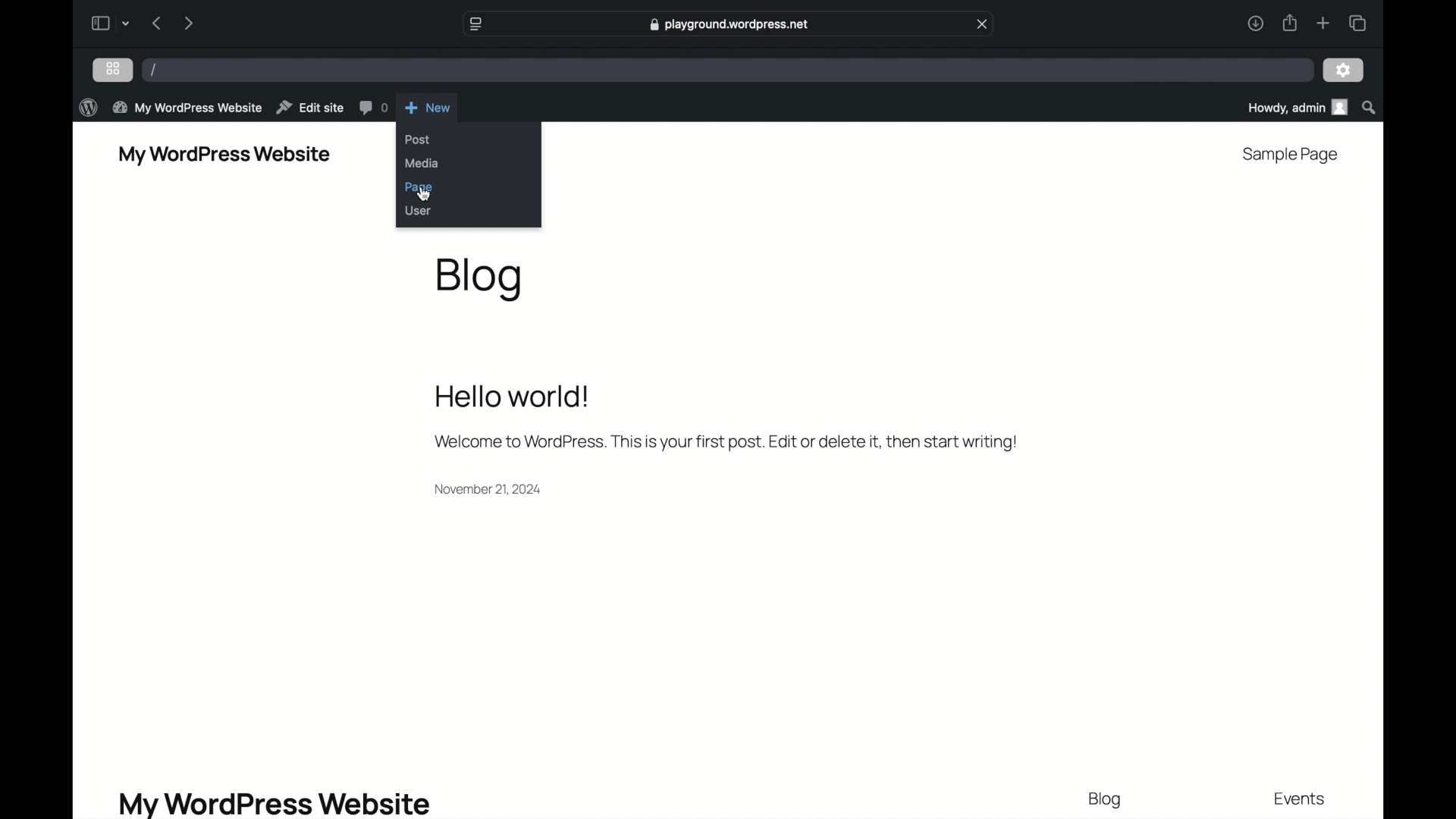  What do you see at coordinates (418, 140) in the screenshot?
I see `post` at bounding box center [418, 140].